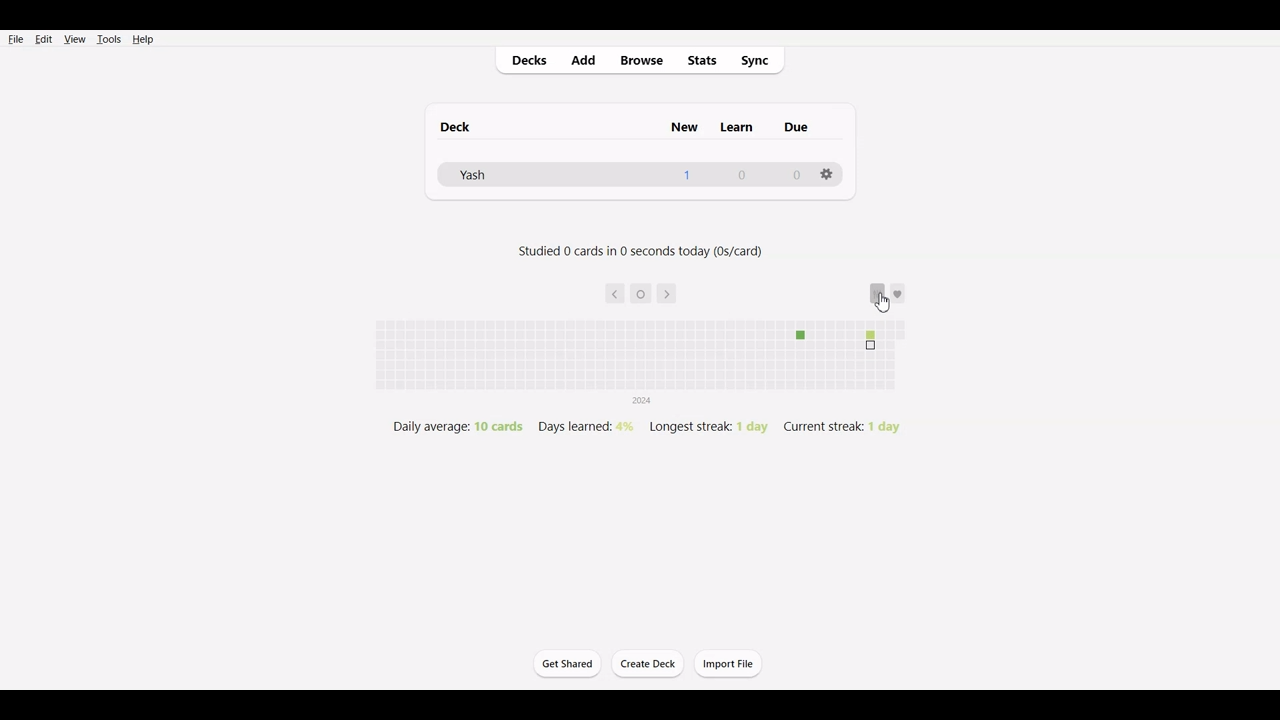 The image size is (1280, 720). I want to click on View, so click(74, 39).